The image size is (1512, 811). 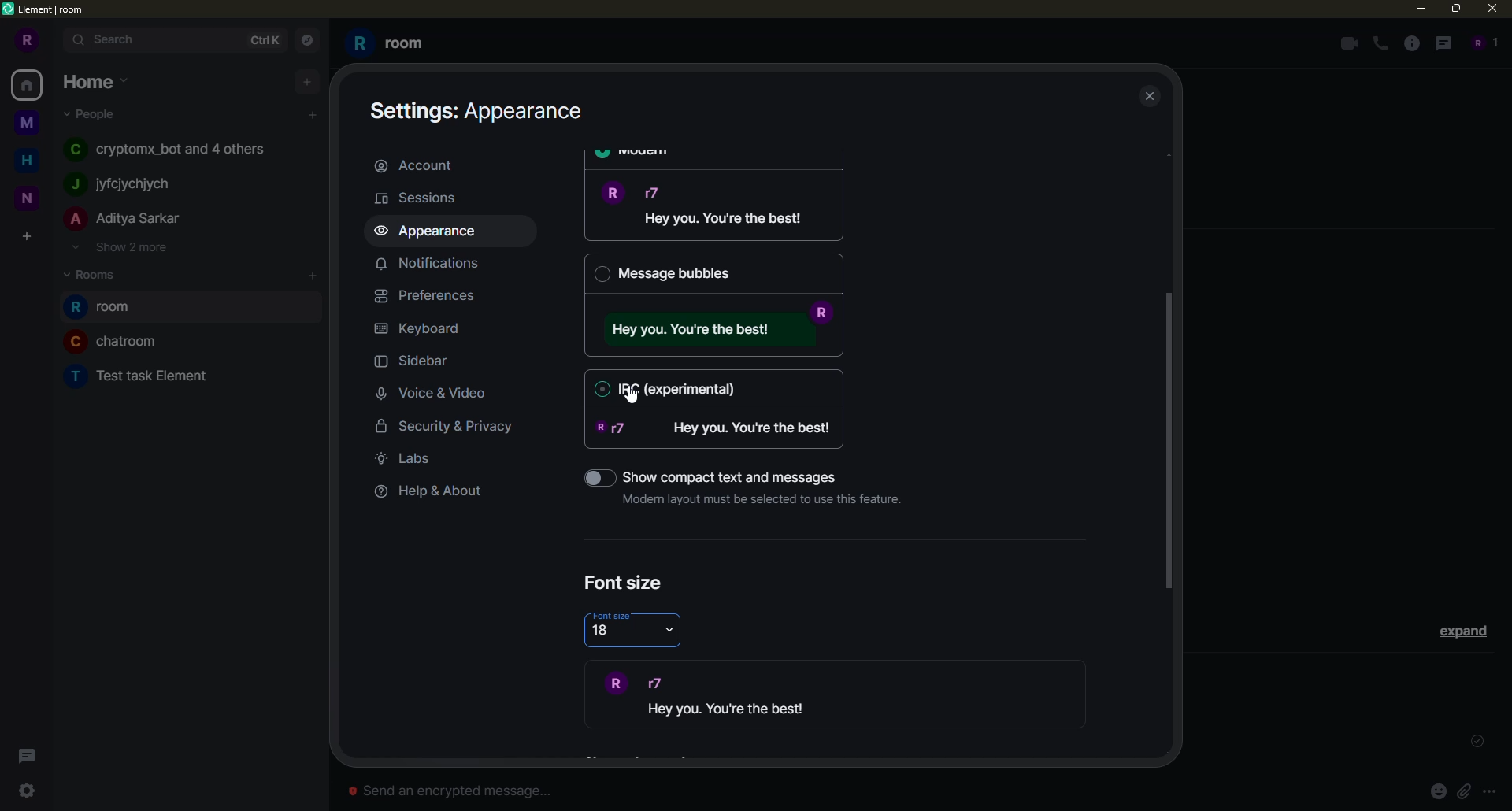 What do you see at coordinates (313, 115) in the screenshot?
I see `add` at bounding box center [313, 115].